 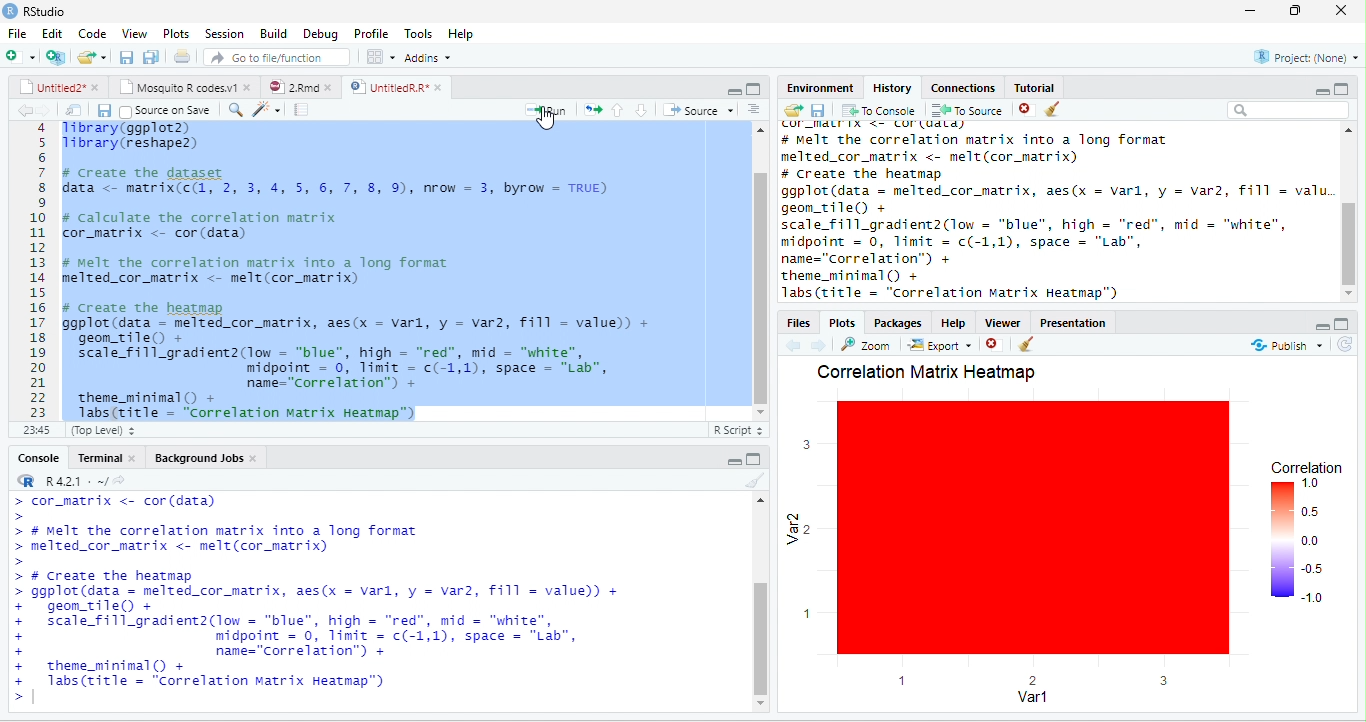 What do you see at coordinates (22, 111) in the screenshot?
I see `arrow` at bounding box center [22, 111].